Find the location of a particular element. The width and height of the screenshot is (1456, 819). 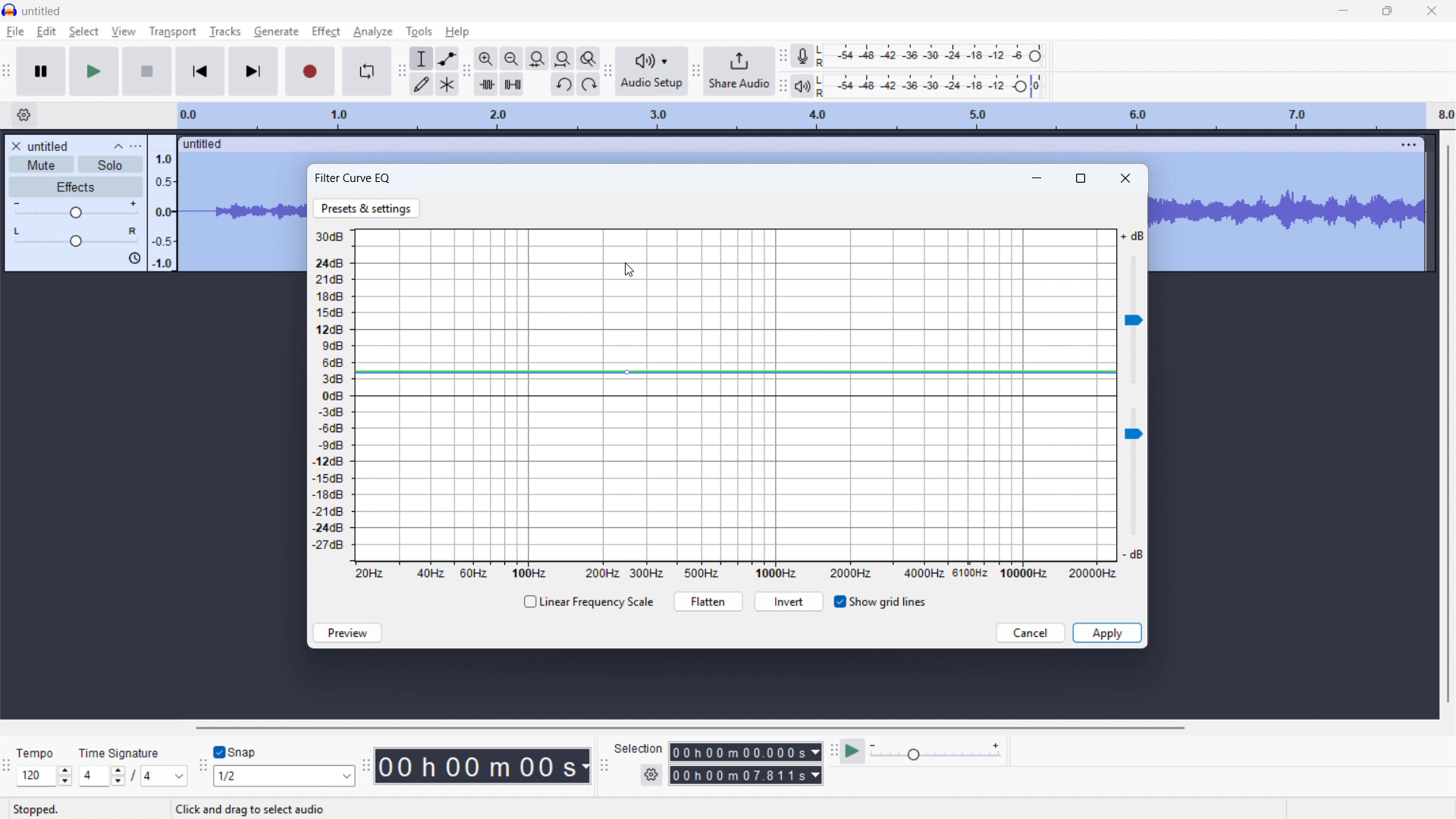

sync lock is located at coordinates (133, 259).